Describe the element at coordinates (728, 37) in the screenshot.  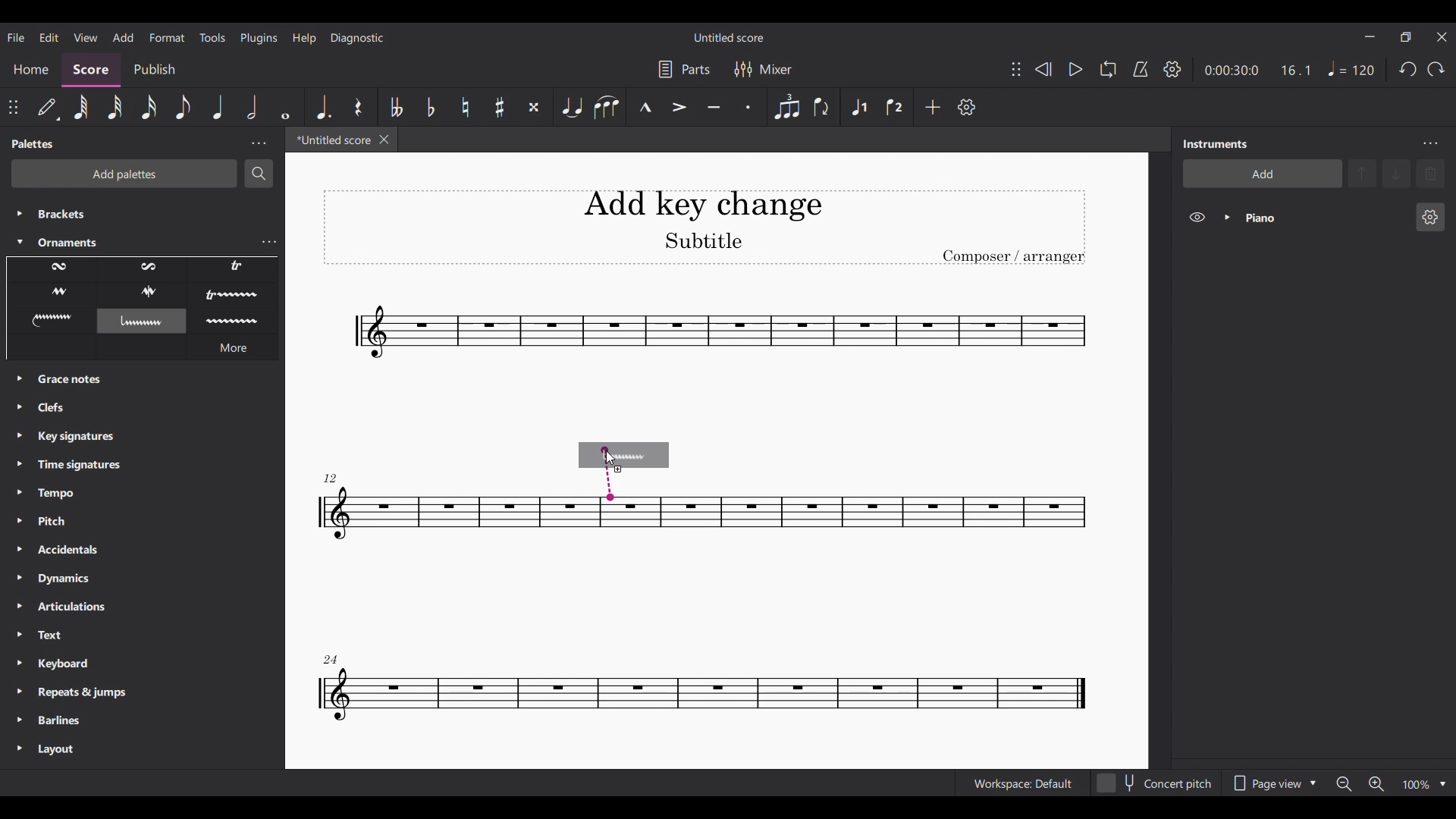
I see `Score title` at that location.